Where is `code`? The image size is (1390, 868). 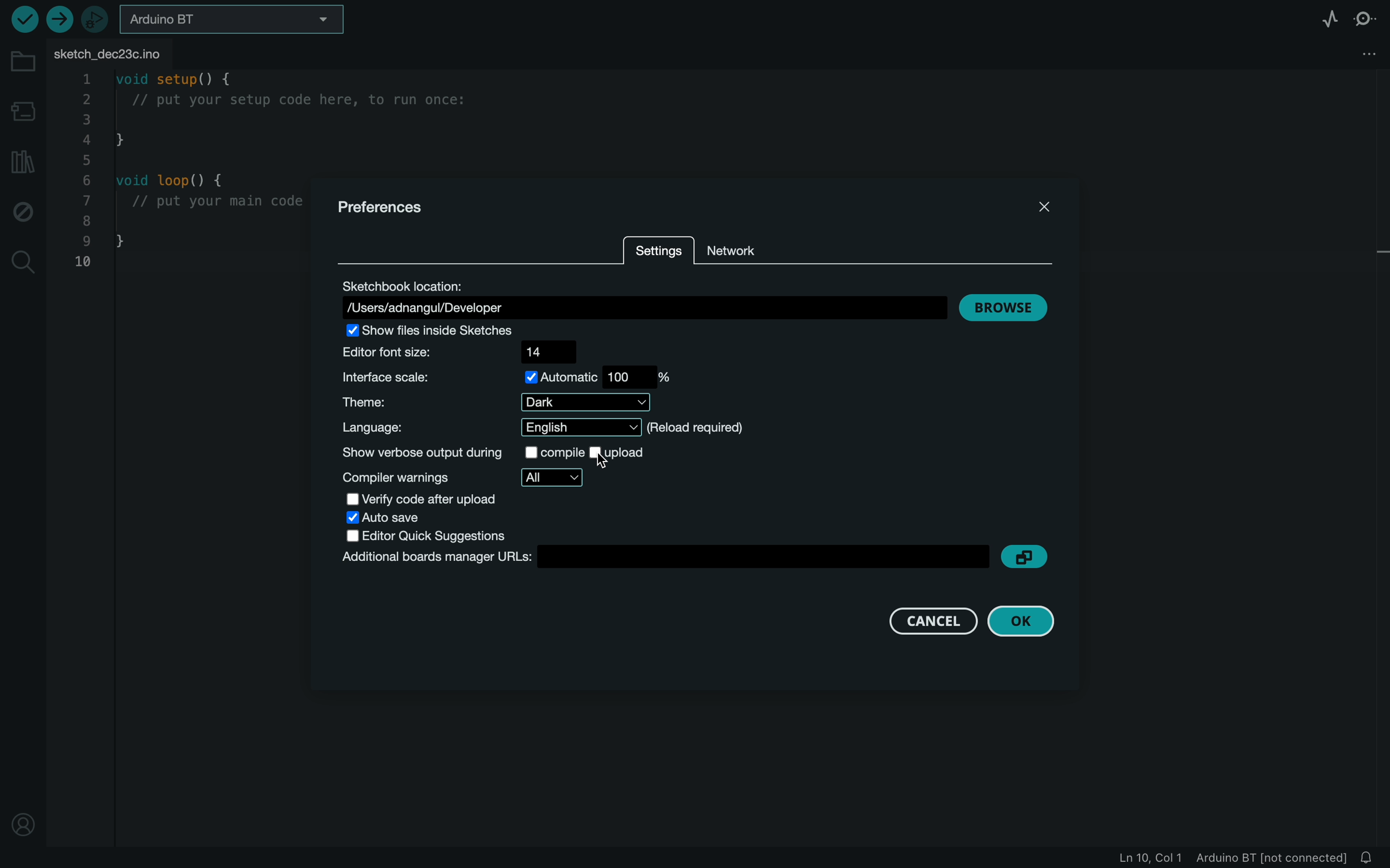 code is located at coordinates (177, 169).